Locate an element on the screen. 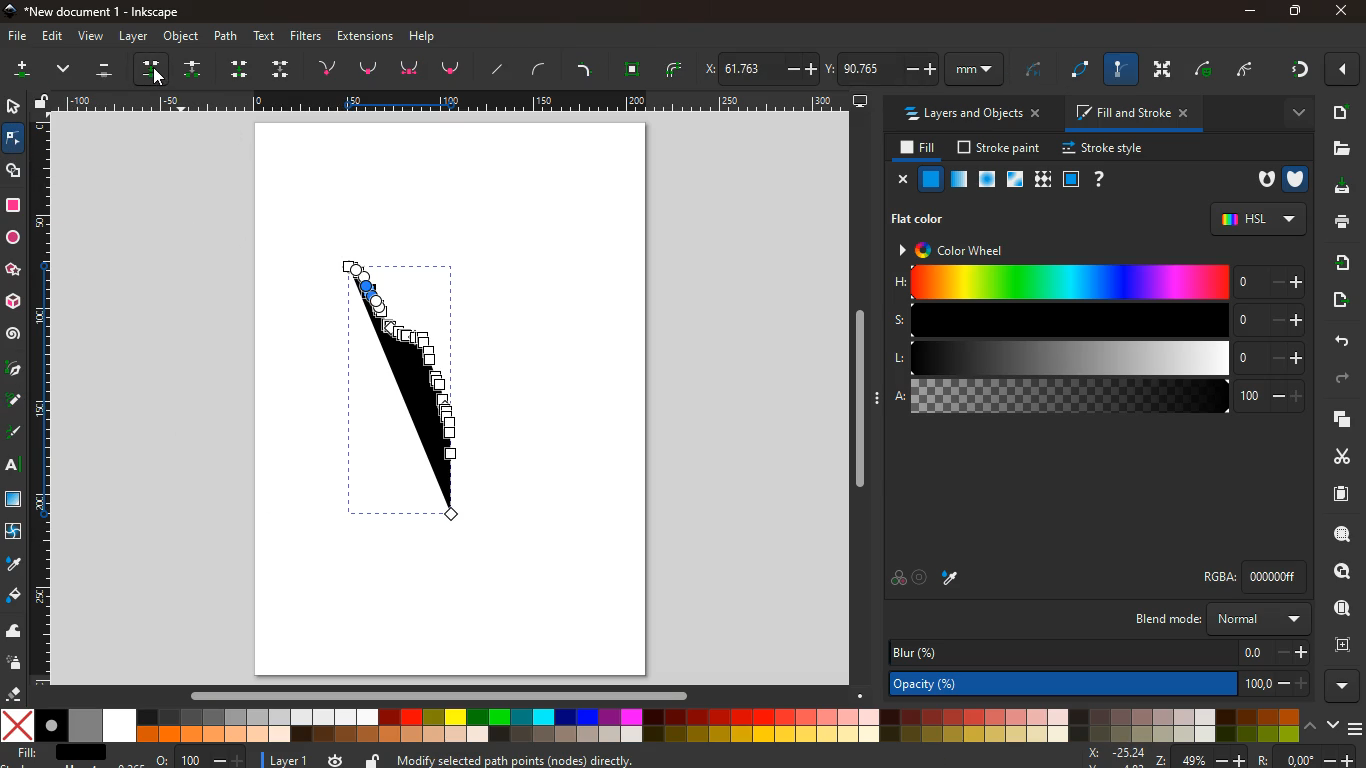 The image size is (1366, 768). receive is located at coordinates (1337, 263).